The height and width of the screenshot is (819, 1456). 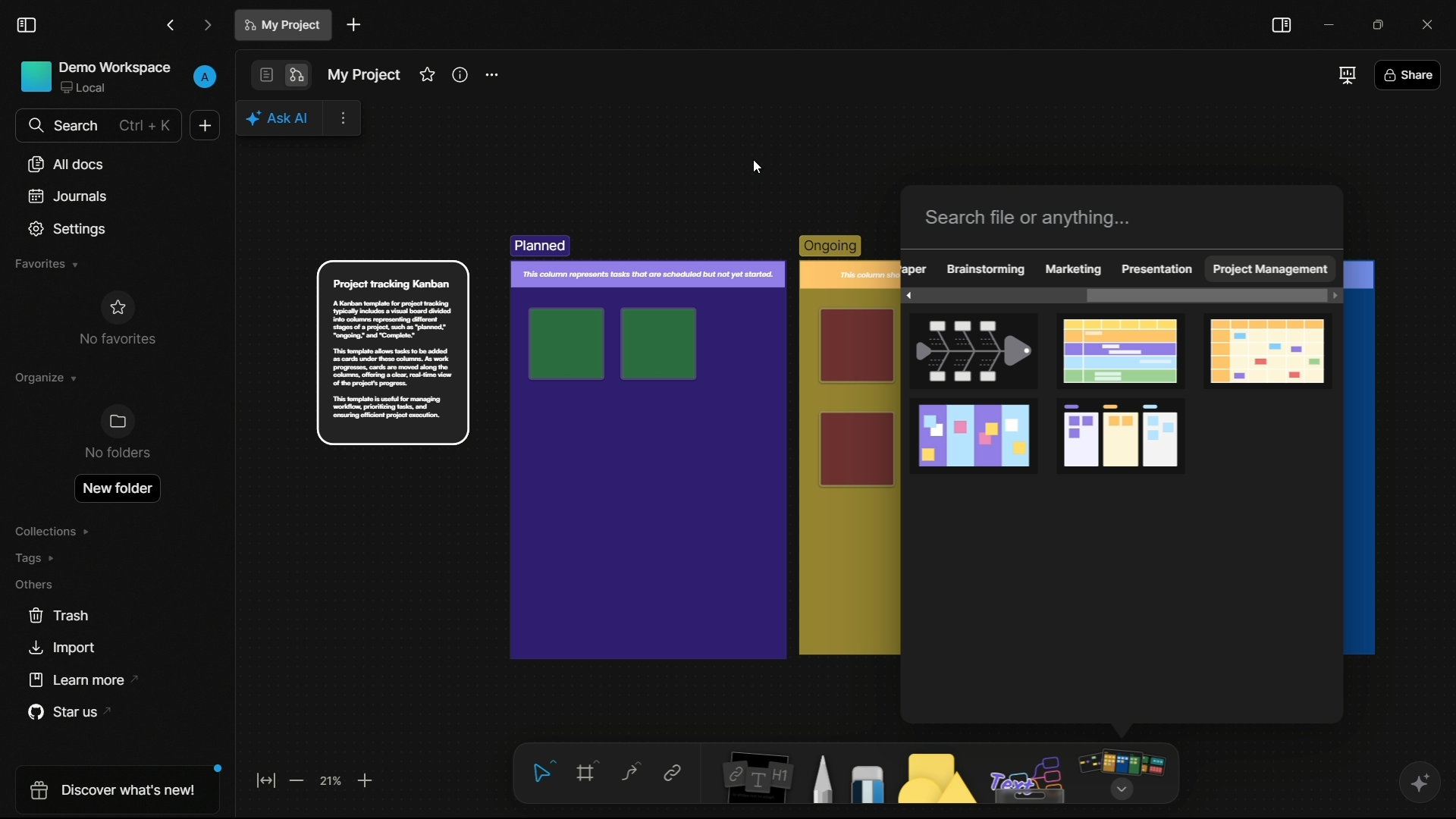 What do you see at coordinates (44, 378) in the screenshot?
I see `organize` at bounding box center [44, 378].